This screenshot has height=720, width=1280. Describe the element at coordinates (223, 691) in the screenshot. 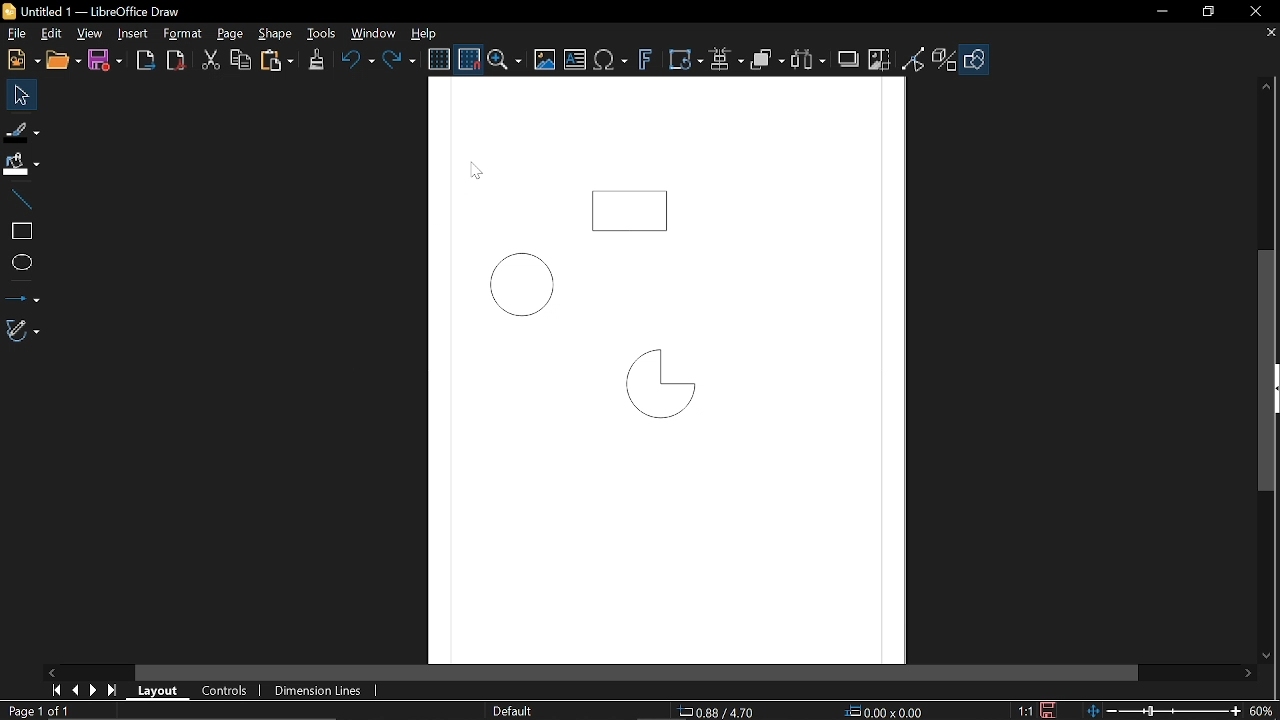

I see `COntrols` at that location.